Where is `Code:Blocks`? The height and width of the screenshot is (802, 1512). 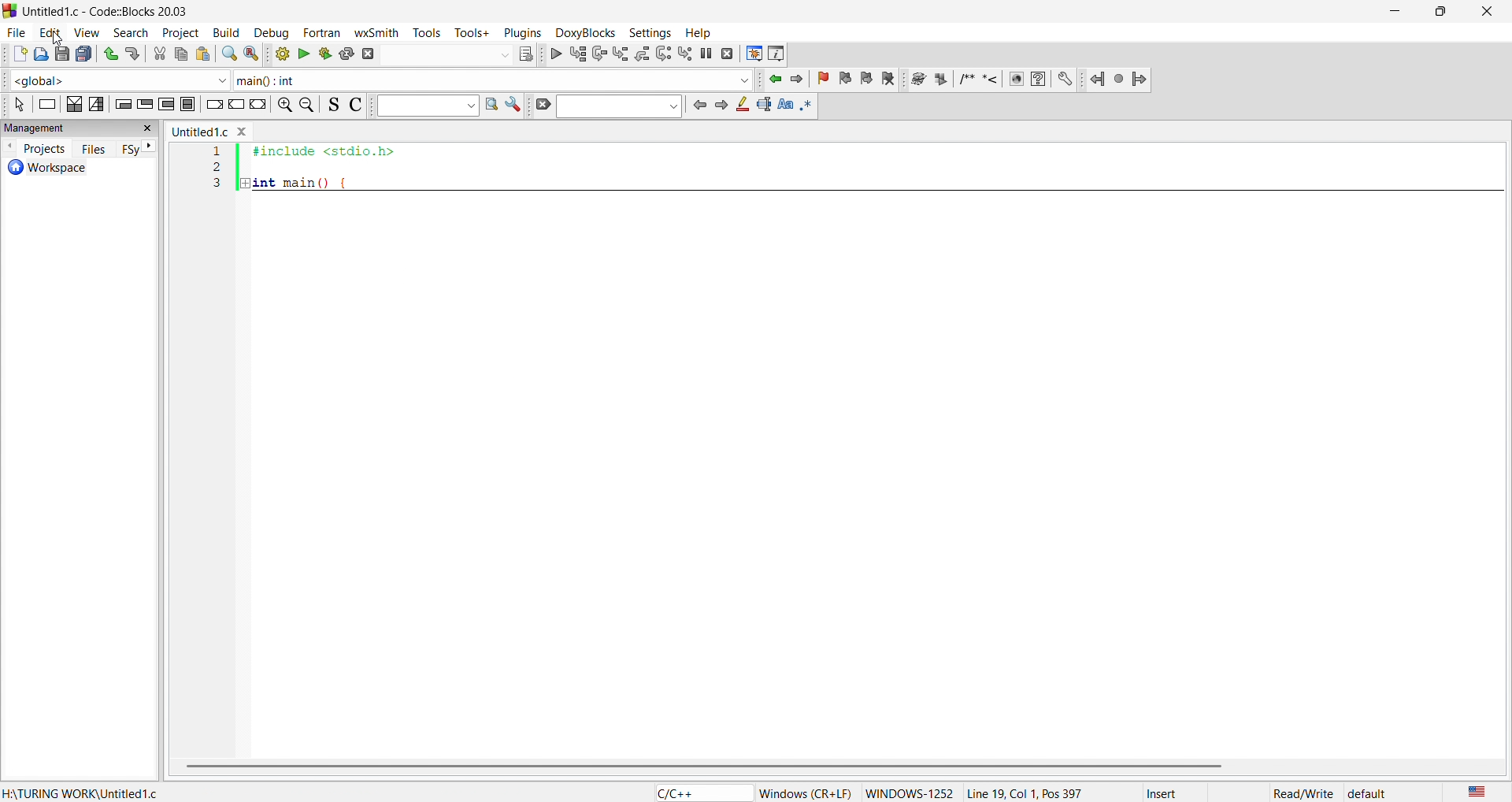
Code:Blocks is located at coordinates (9, 9).